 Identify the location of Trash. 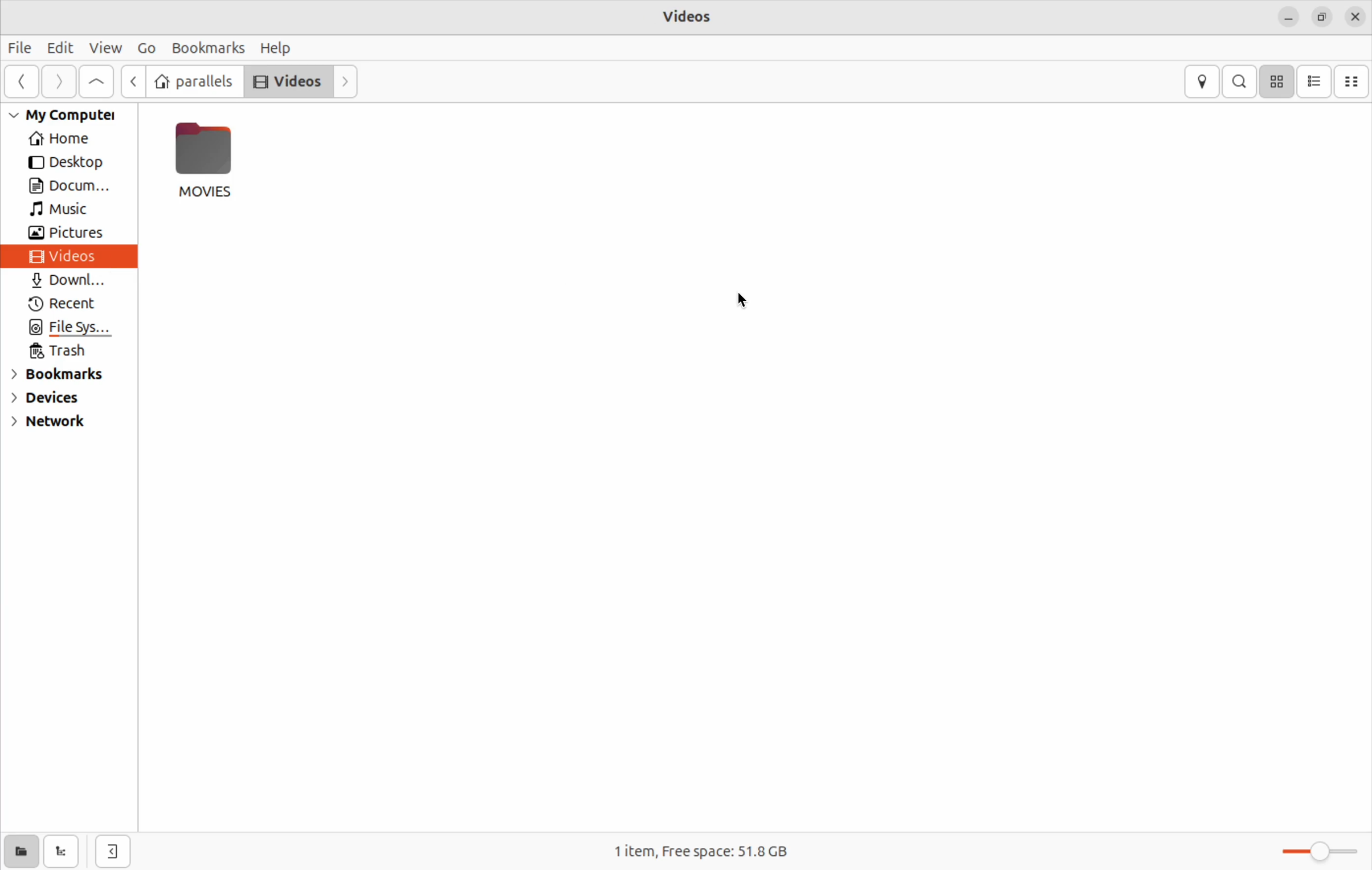
(63, 351).